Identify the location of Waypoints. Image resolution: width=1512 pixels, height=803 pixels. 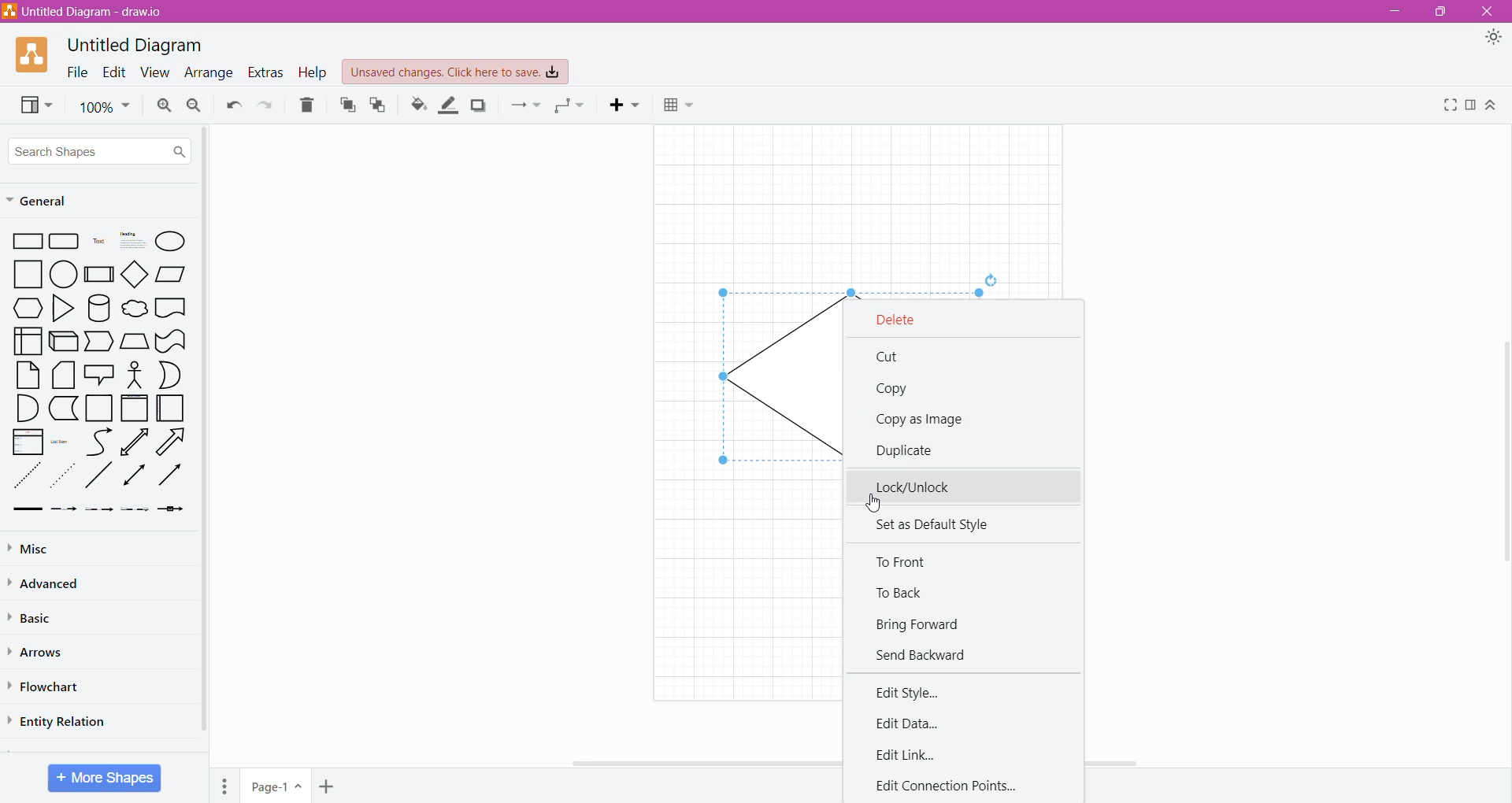
(573, 105).